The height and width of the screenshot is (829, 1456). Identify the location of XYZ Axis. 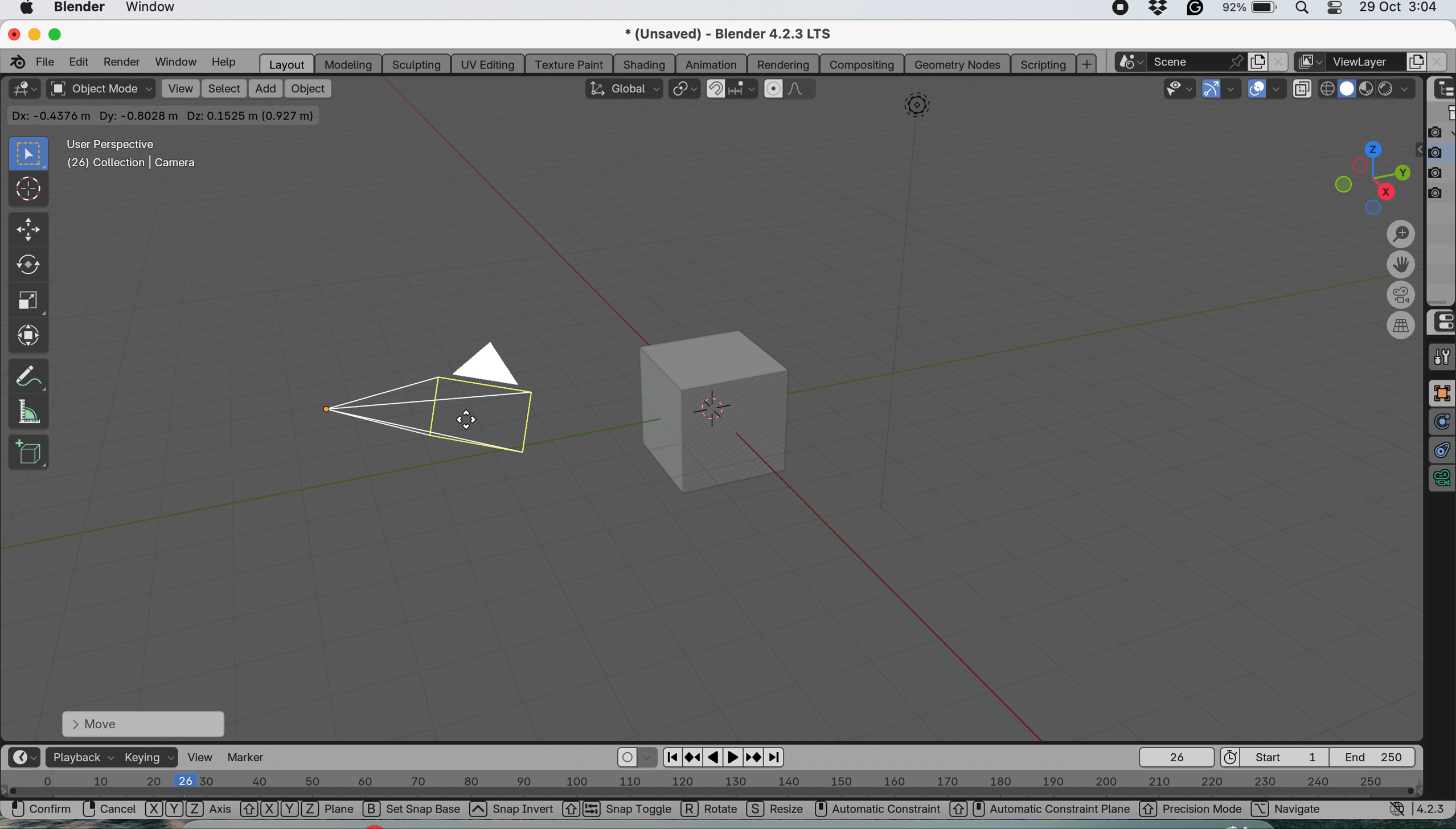
(188, 811).